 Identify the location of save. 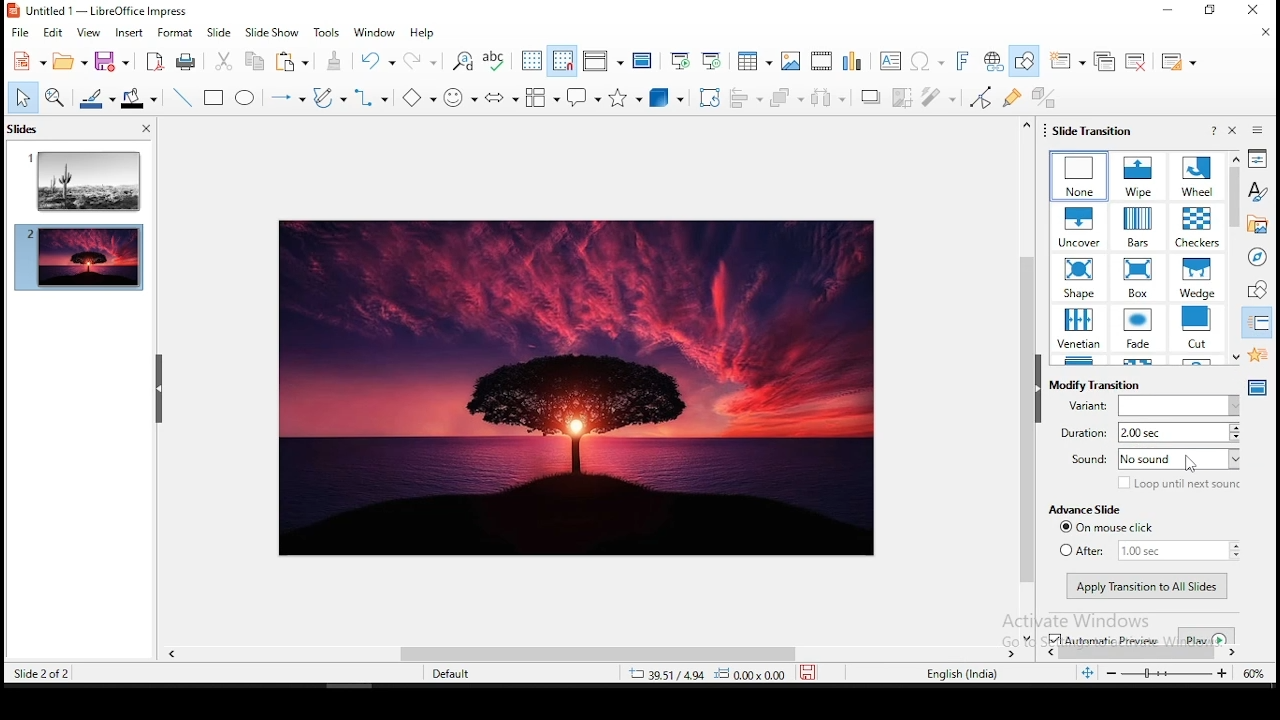
(111, 62).